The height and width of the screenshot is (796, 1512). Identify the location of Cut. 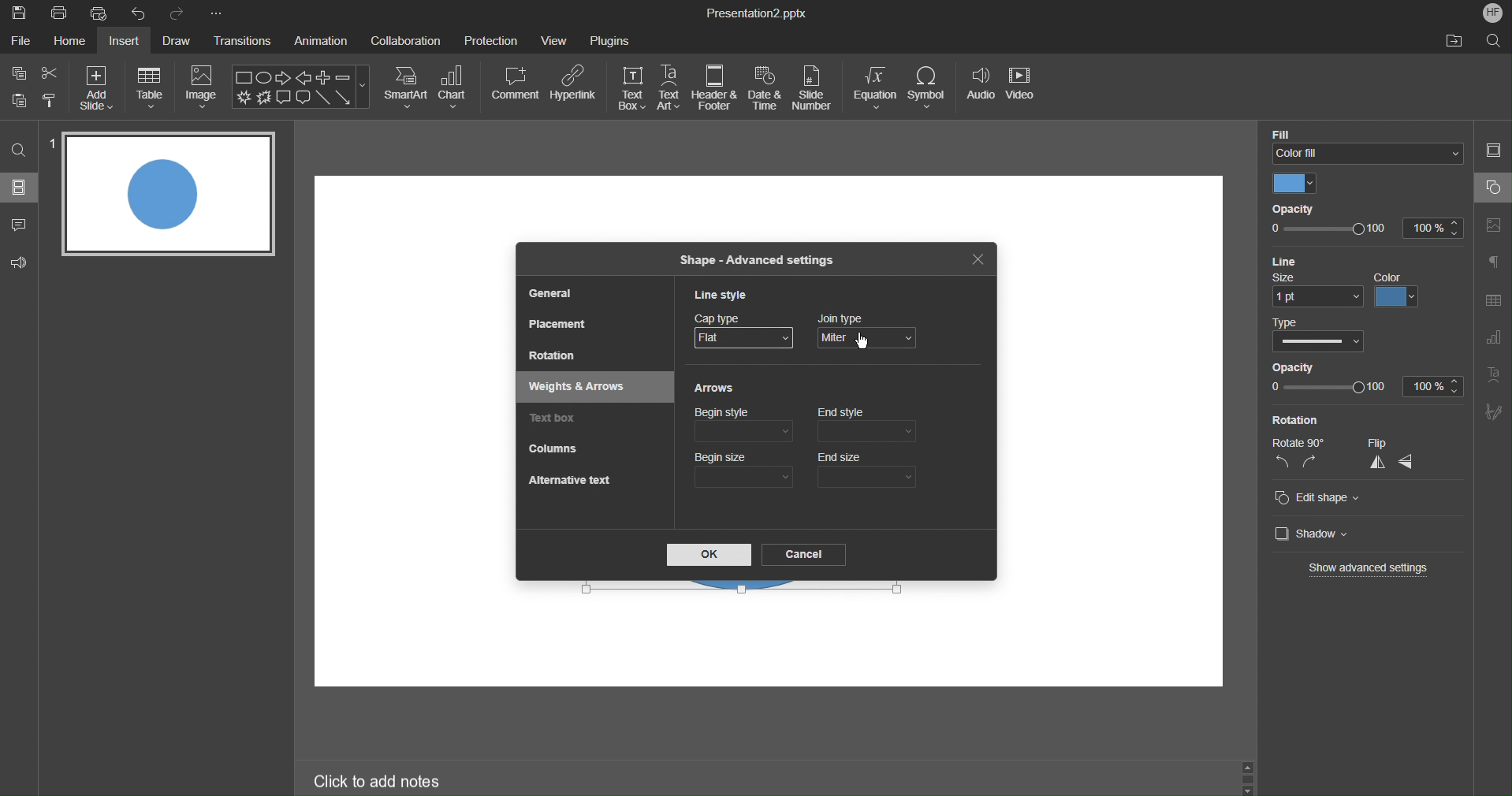
(51, 73).